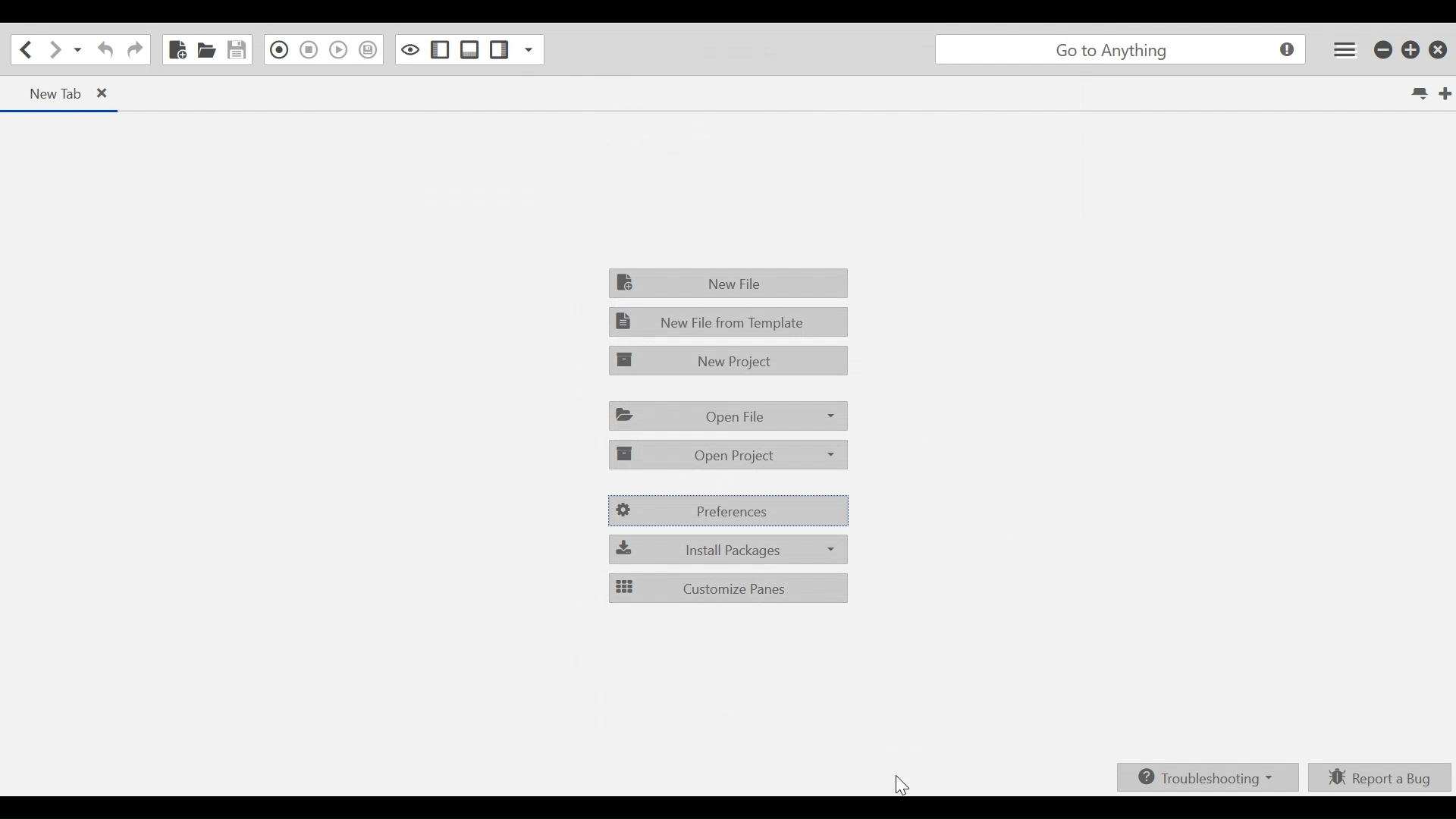 Image resolution: width=1456 pixels, height=819 pixels. Describe the element at coordinates (1411, 49) in the screenshot. I see `Restore` at that location.